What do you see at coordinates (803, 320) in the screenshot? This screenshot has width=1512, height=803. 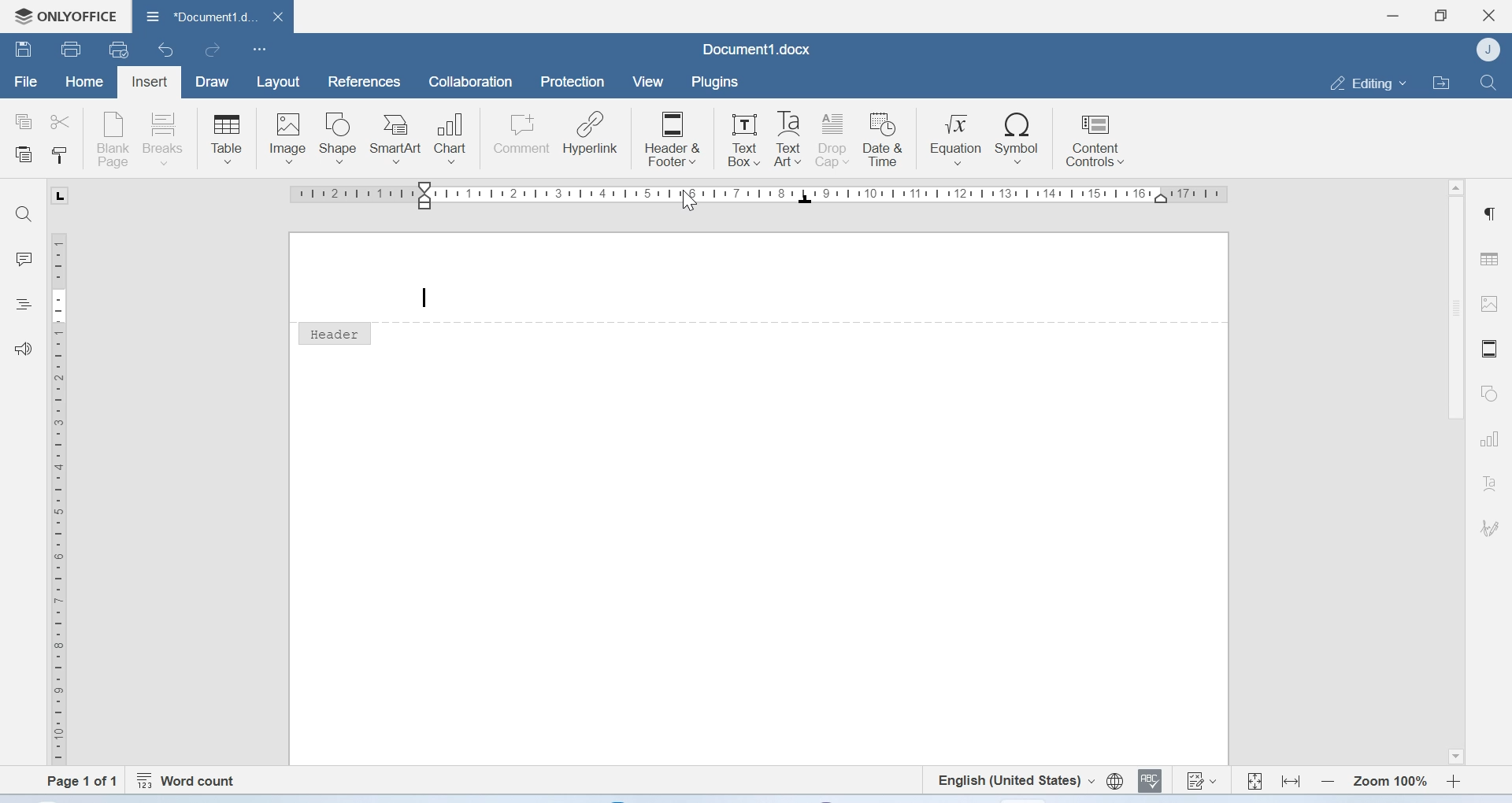 I see `header line` at bounding box center [803, 320].